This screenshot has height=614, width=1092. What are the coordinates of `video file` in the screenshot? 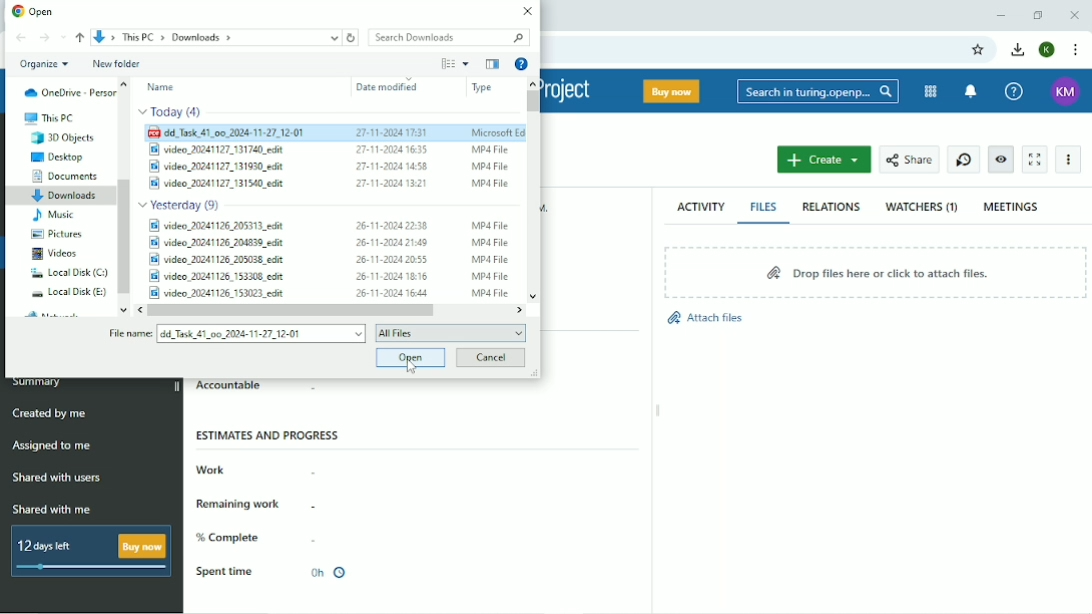 It's located at (330, 164).